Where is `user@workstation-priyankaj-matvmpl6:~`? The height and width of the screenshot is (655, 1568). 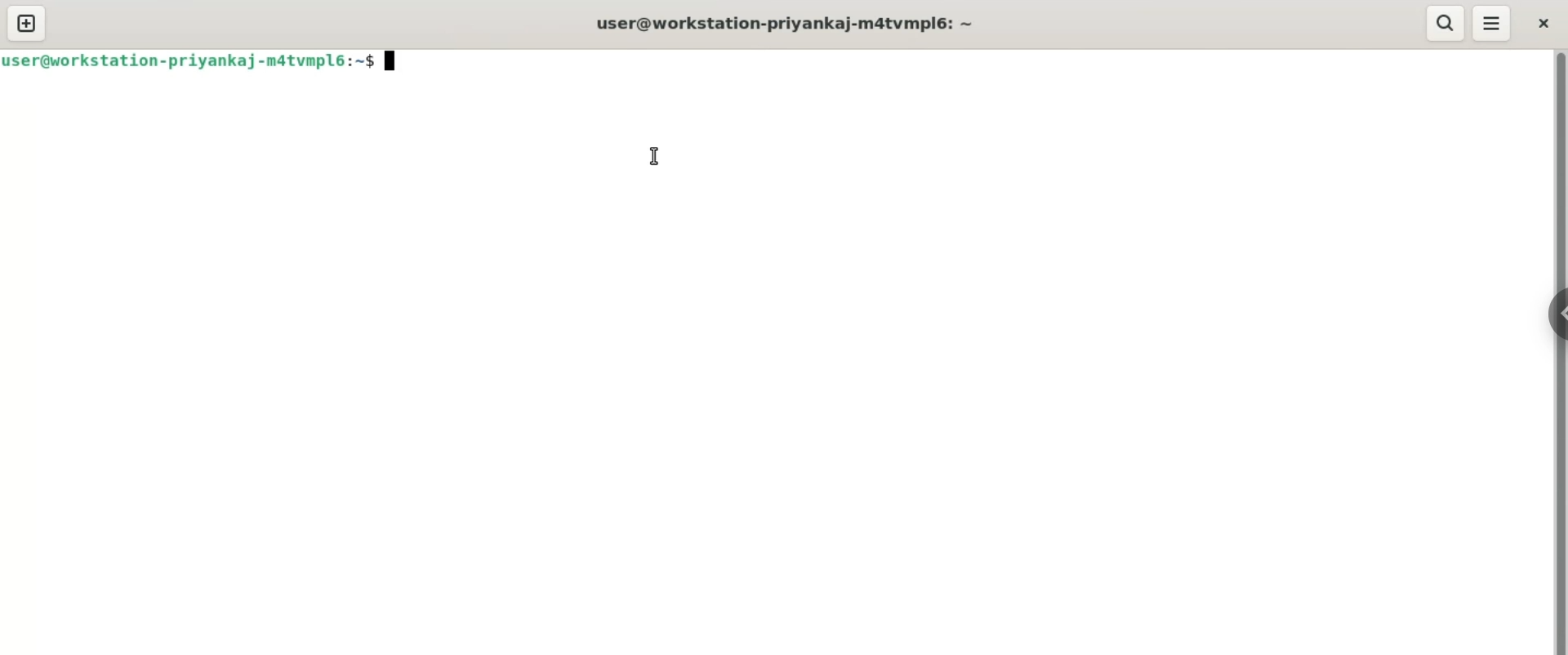
user@workstation-priyankaj-matvmpl6:~ is located at coordinates (784, 23).